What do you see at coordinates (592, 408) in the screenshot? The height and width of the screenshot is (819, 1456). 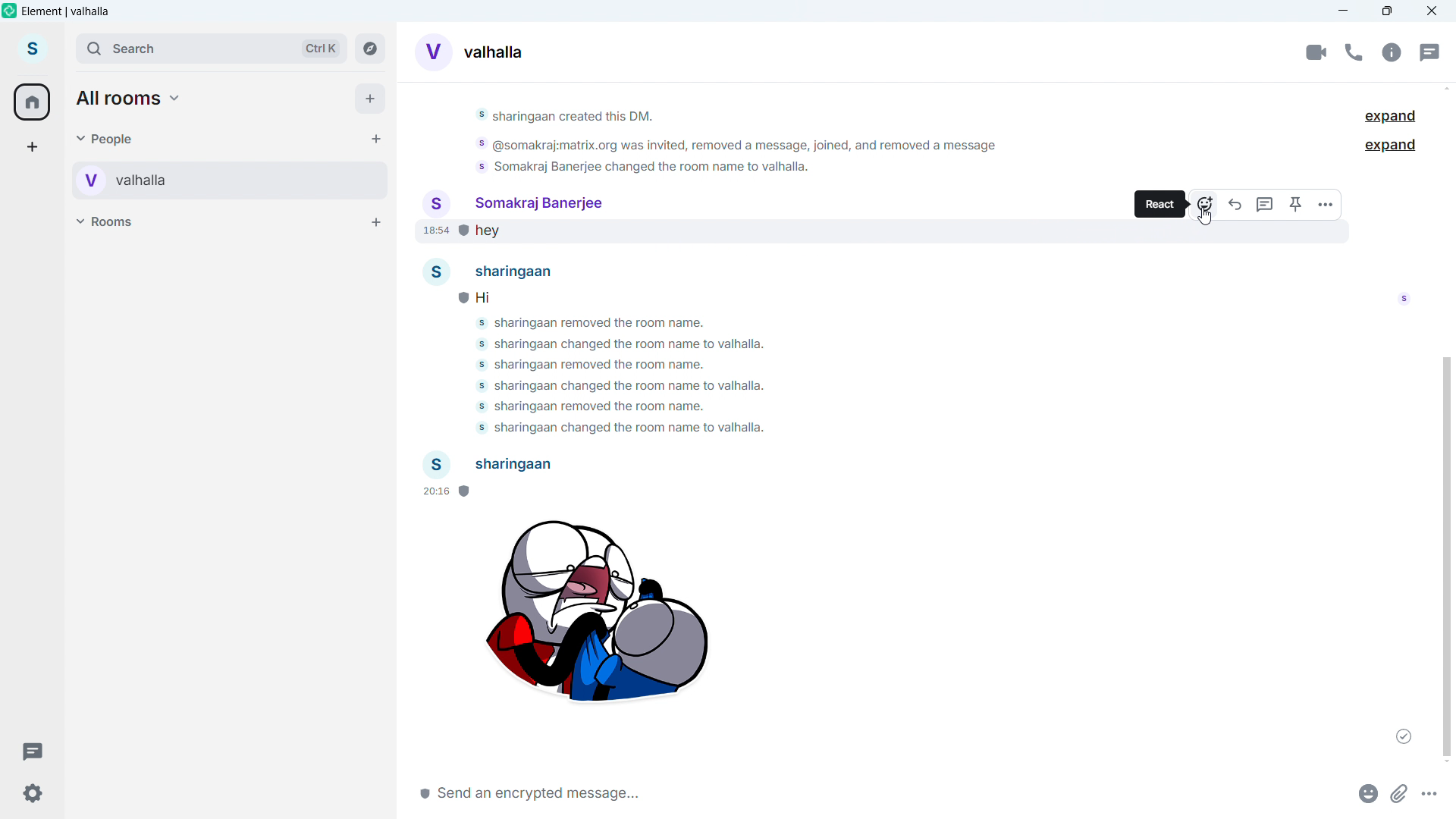 I see `somakraj banerjee removed the room name` at bounding box center [592, 408].